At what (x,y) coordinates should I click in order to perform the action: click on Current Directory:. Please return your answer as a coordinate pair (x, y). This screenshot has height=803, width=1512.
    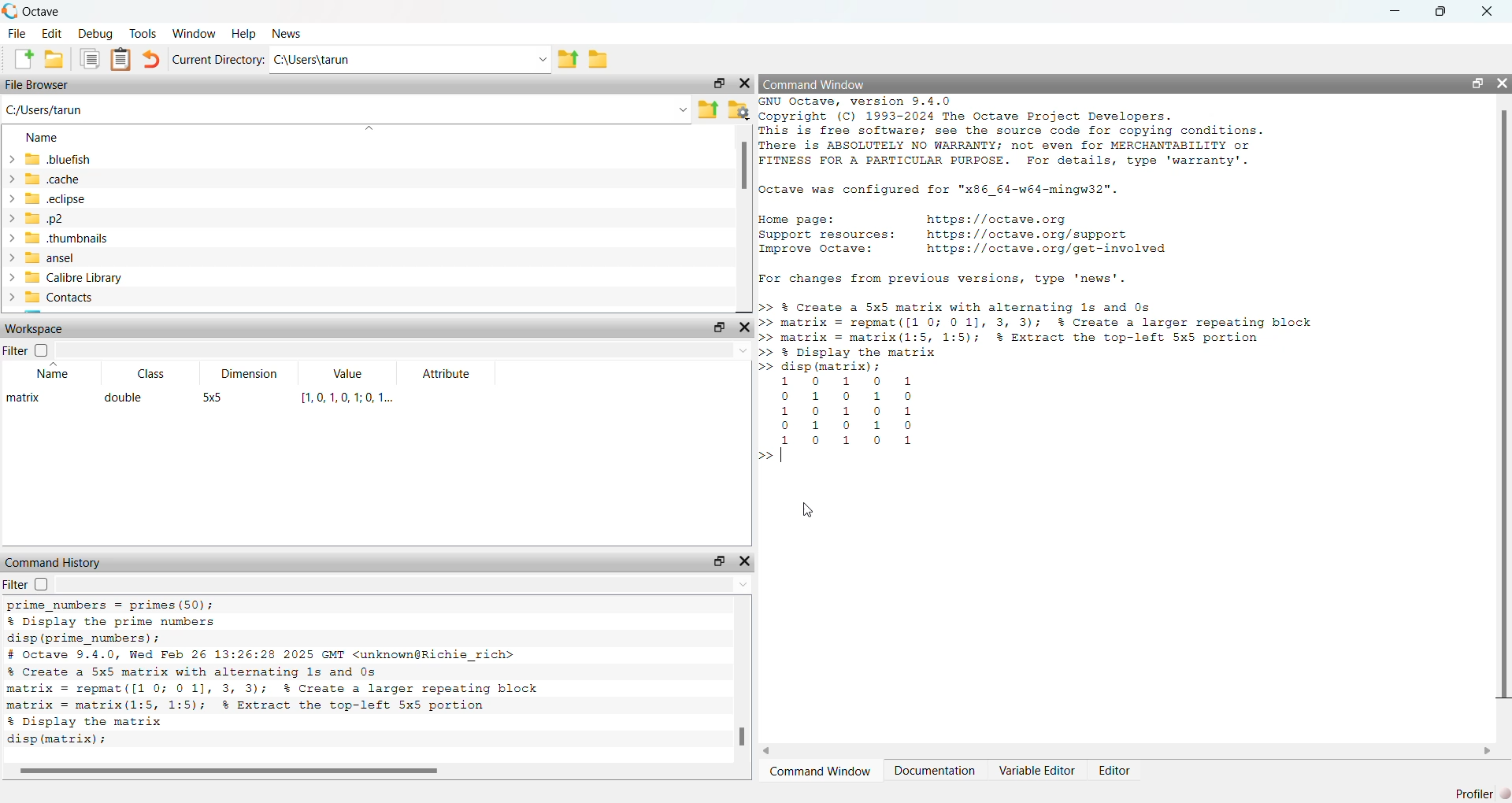
    Looking at the image, I should click on (219, 60).